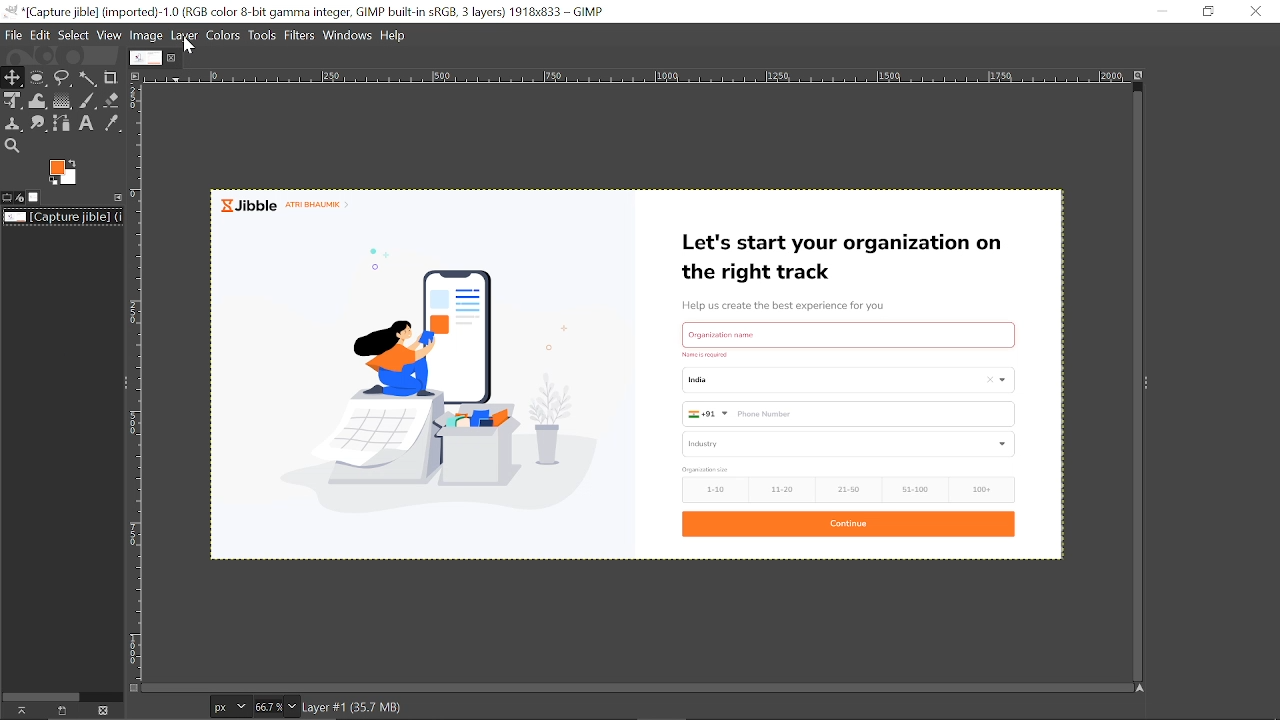 The width and height of the screenshot is (1280, 720). What do you see at coordinates (174, 57) in the screenshot?
I see `Close tab` at bounding box center [174, 57].